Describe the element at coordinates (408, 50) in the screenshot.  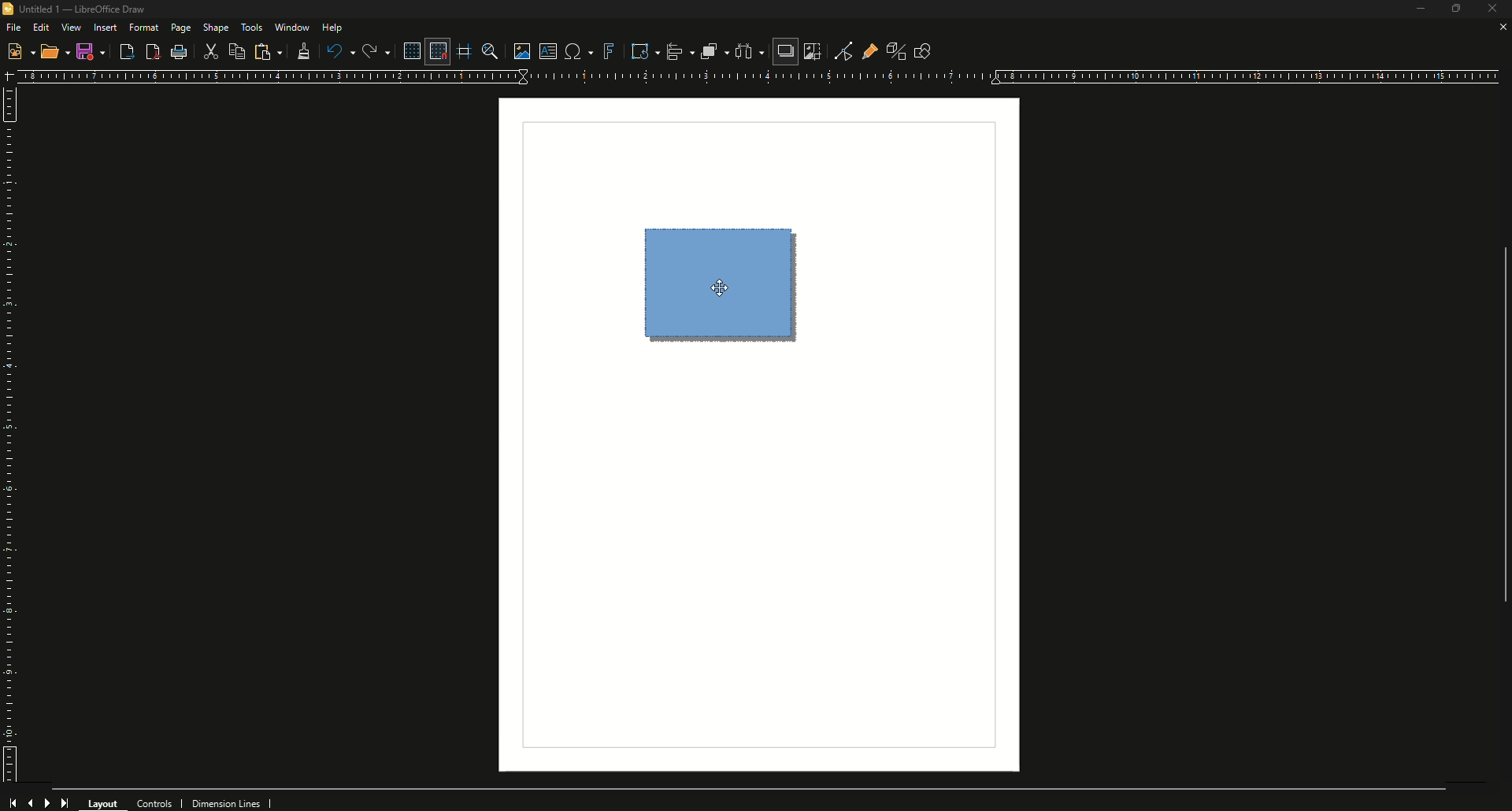
I see `Display Grid` at that location.